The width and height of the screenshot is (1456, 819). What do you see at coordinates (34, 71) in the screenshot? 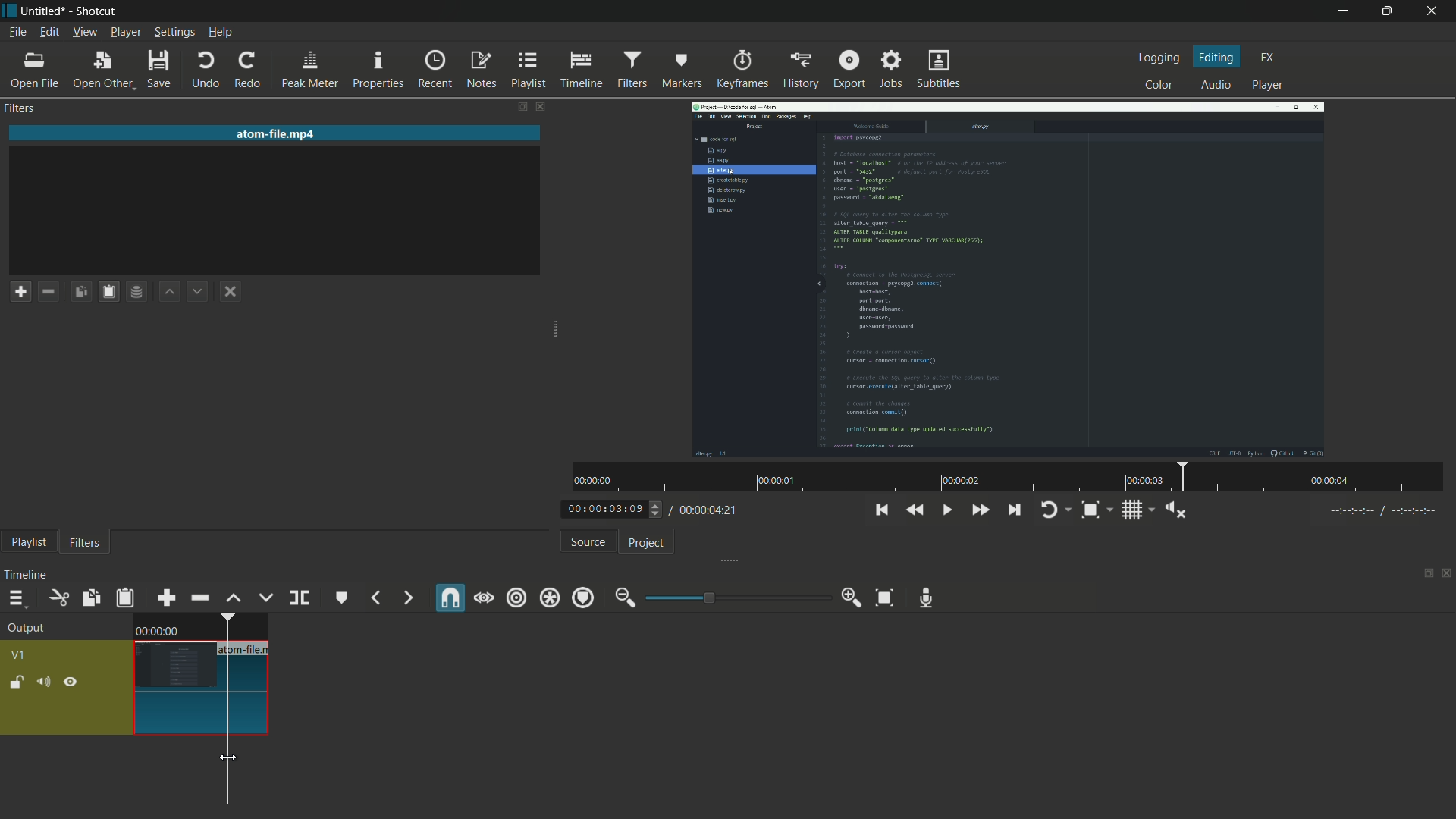
I see `open file` at bounding box center [34, 71].